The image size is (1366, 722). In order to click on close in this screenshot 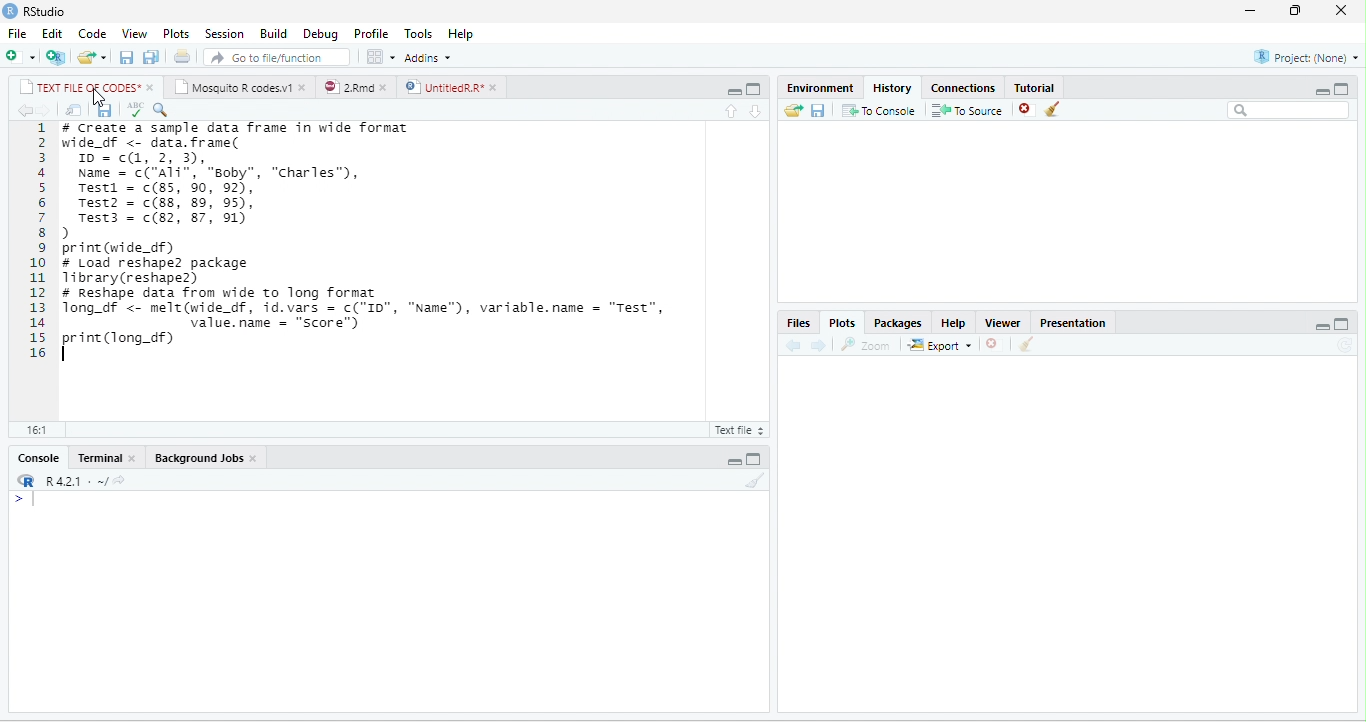, I will do `click(387, 87)`.